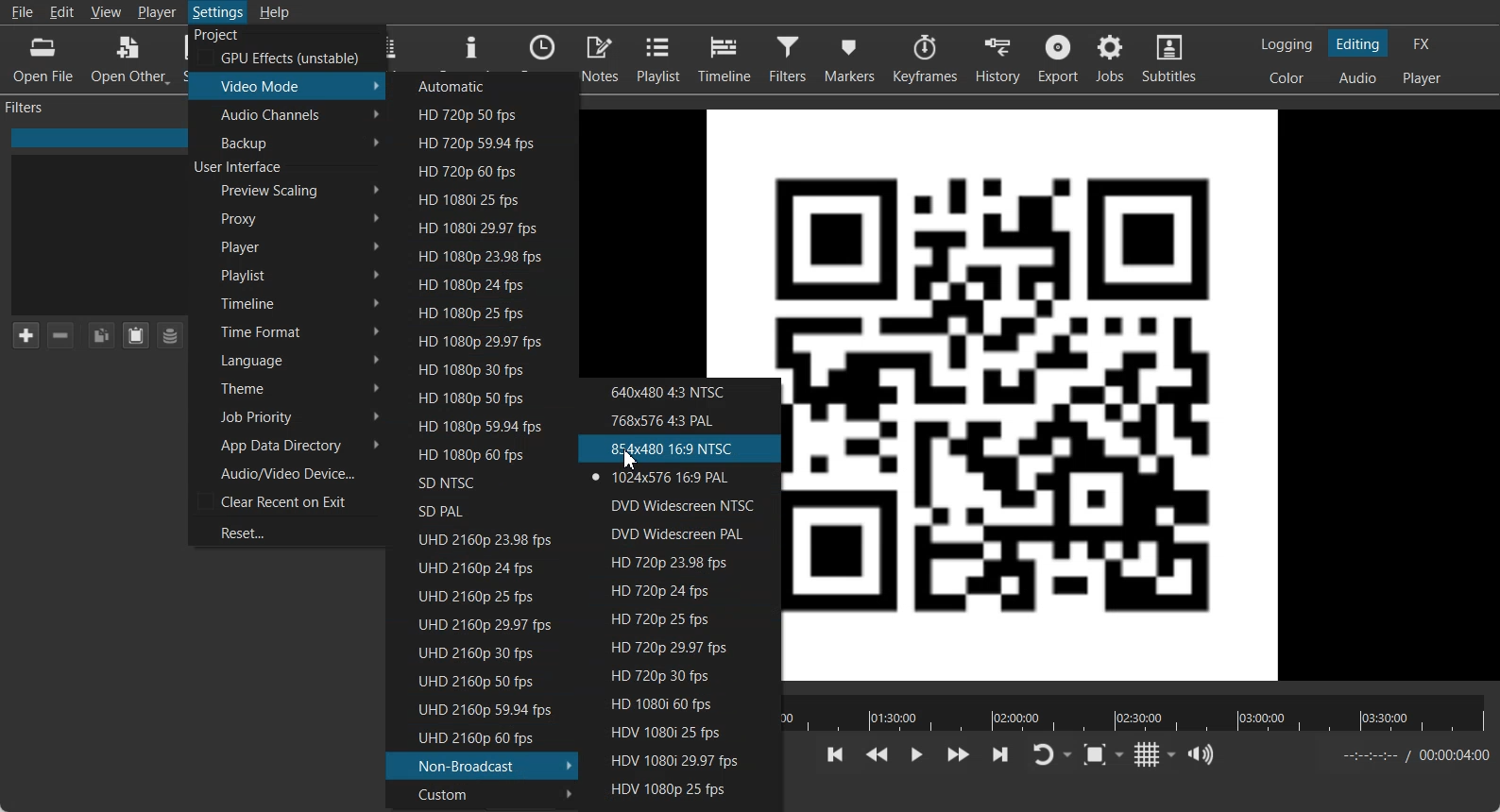 This screenshot has width=1500, height=812. I want to click on Reset, so click(285, 531).